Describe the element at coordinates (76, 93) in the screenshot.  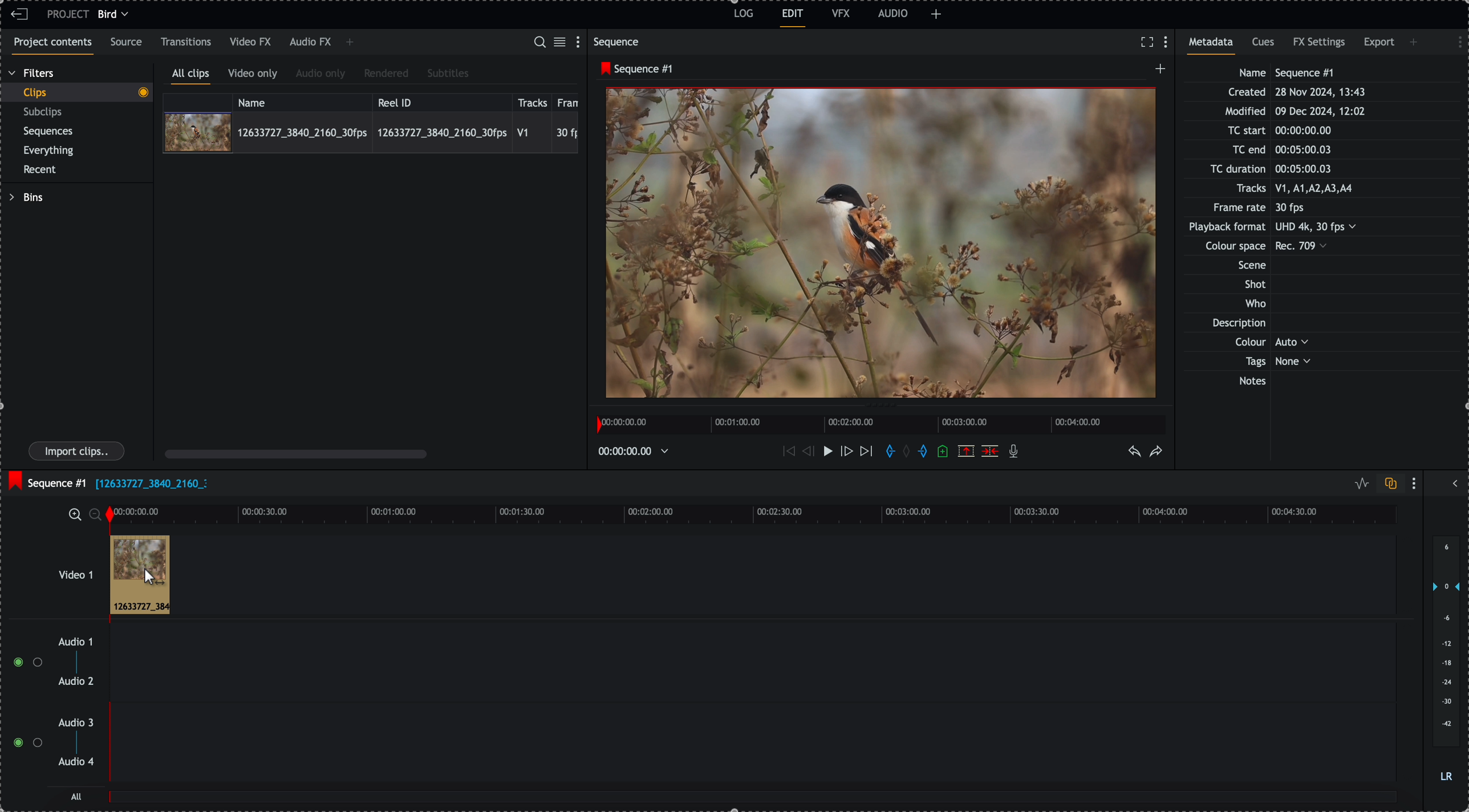
I see `clips` at that location.